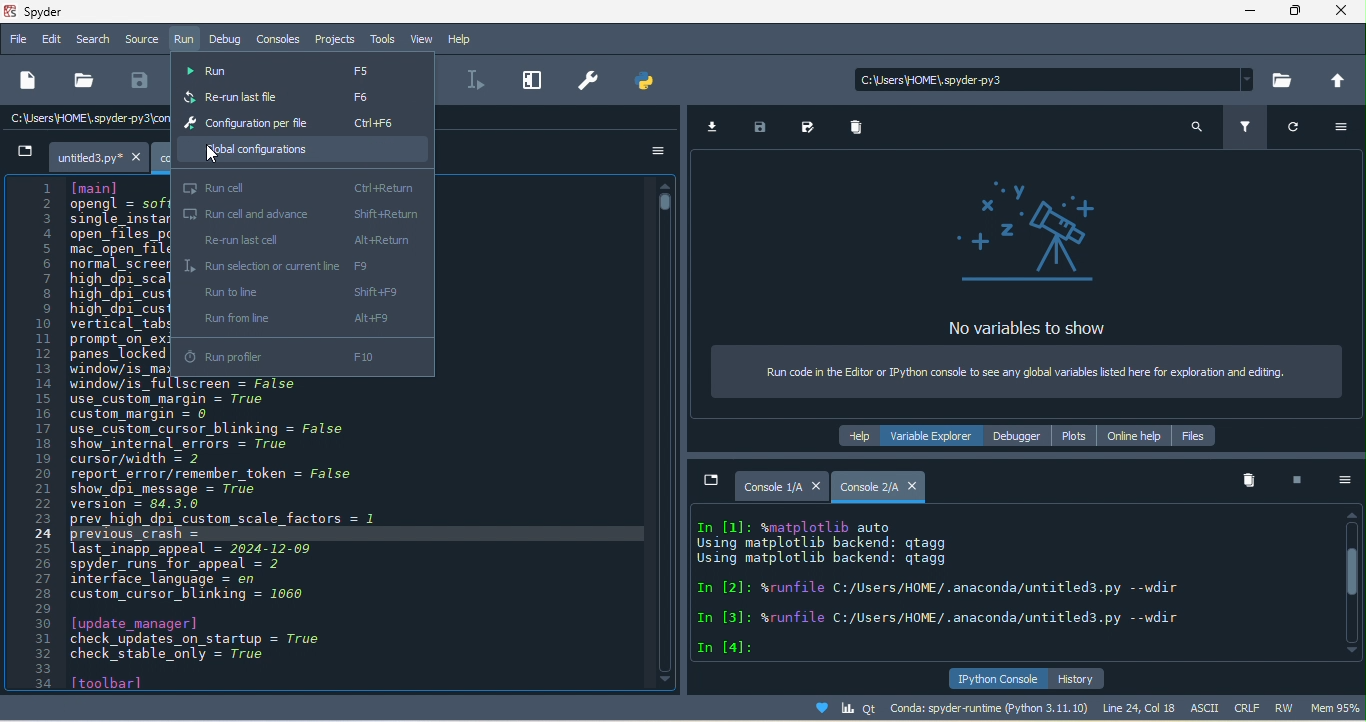  I want to click on open, so click(81, 80).